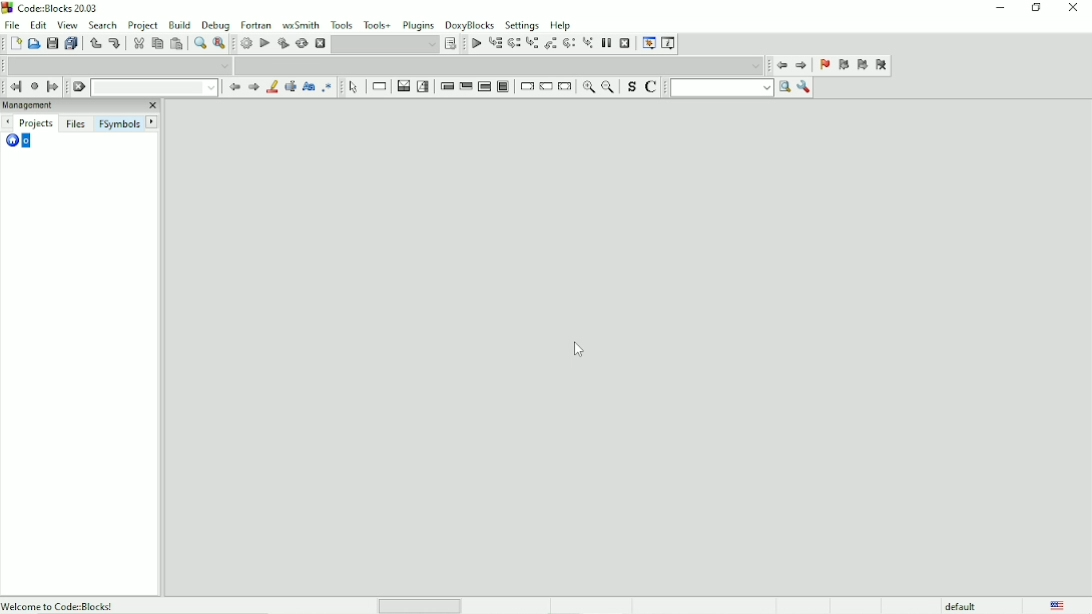  I want to click on Exit condition loop, so click(466, 87).